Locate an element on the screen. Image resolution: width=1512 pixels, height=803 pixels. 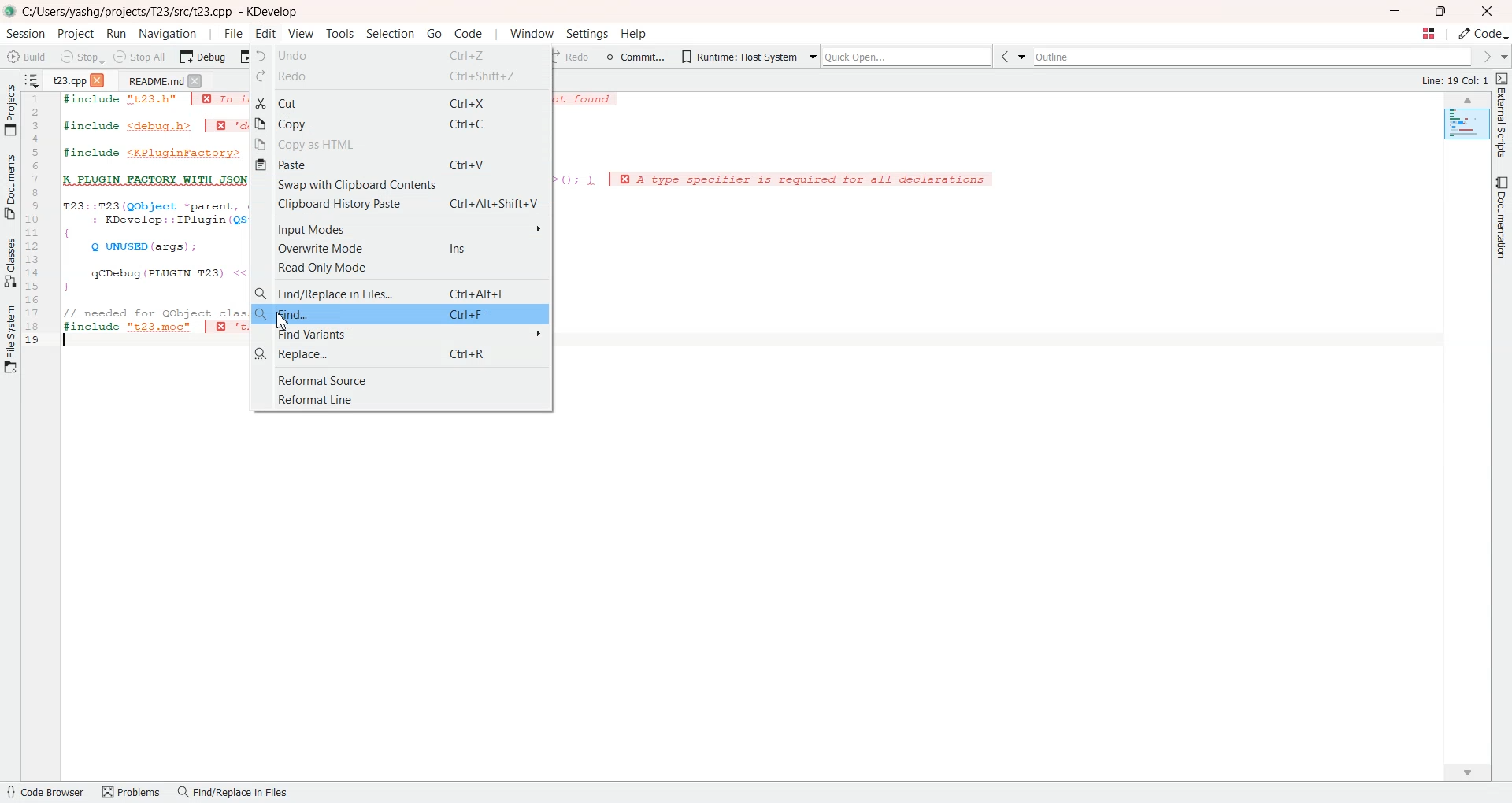
Reformat Source is located at coordinates (400, 379).